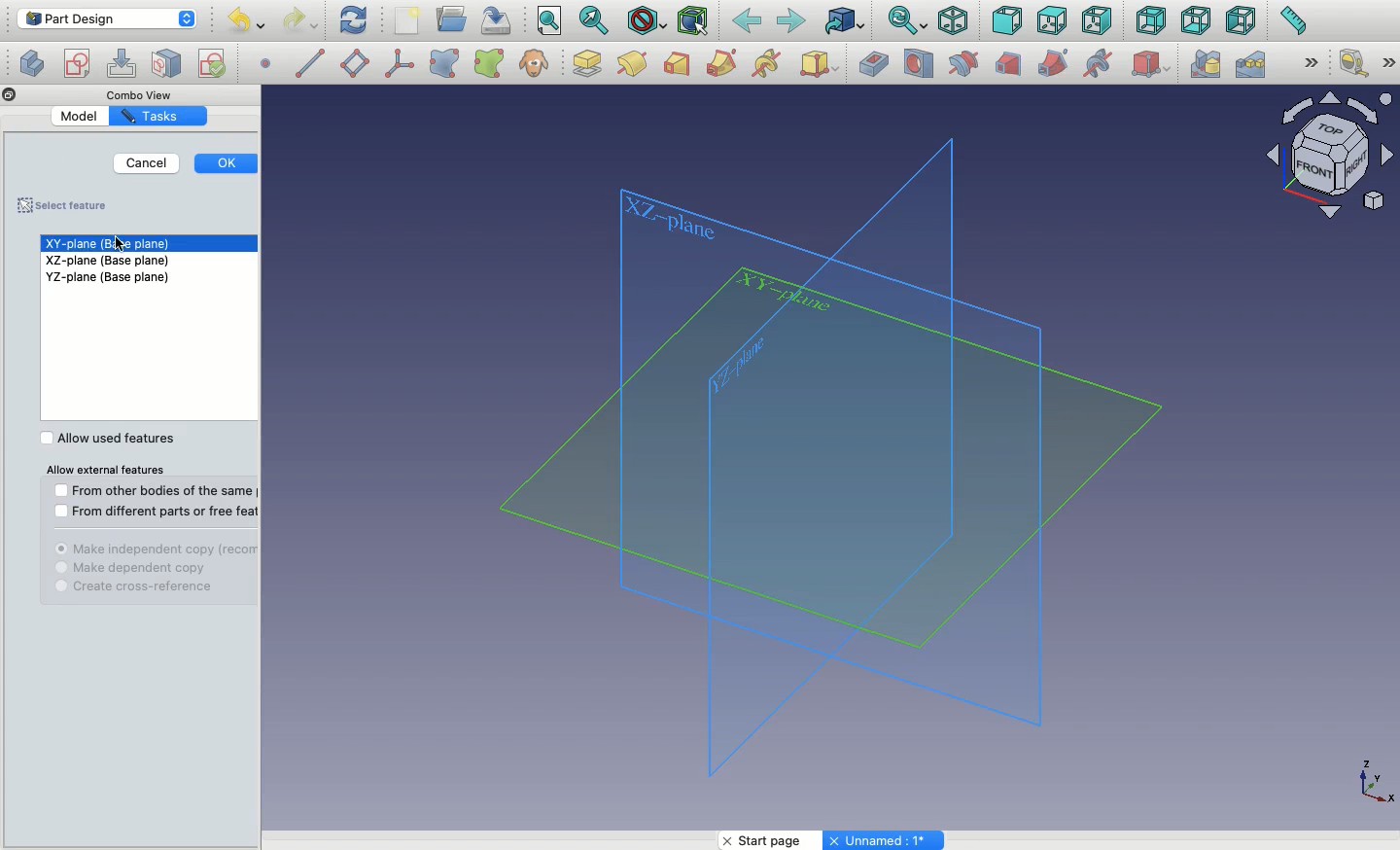 The image size is (1400, 850). Describe the element at coordinates (77, 64) in the screenshot. I see `Create body` at that location.